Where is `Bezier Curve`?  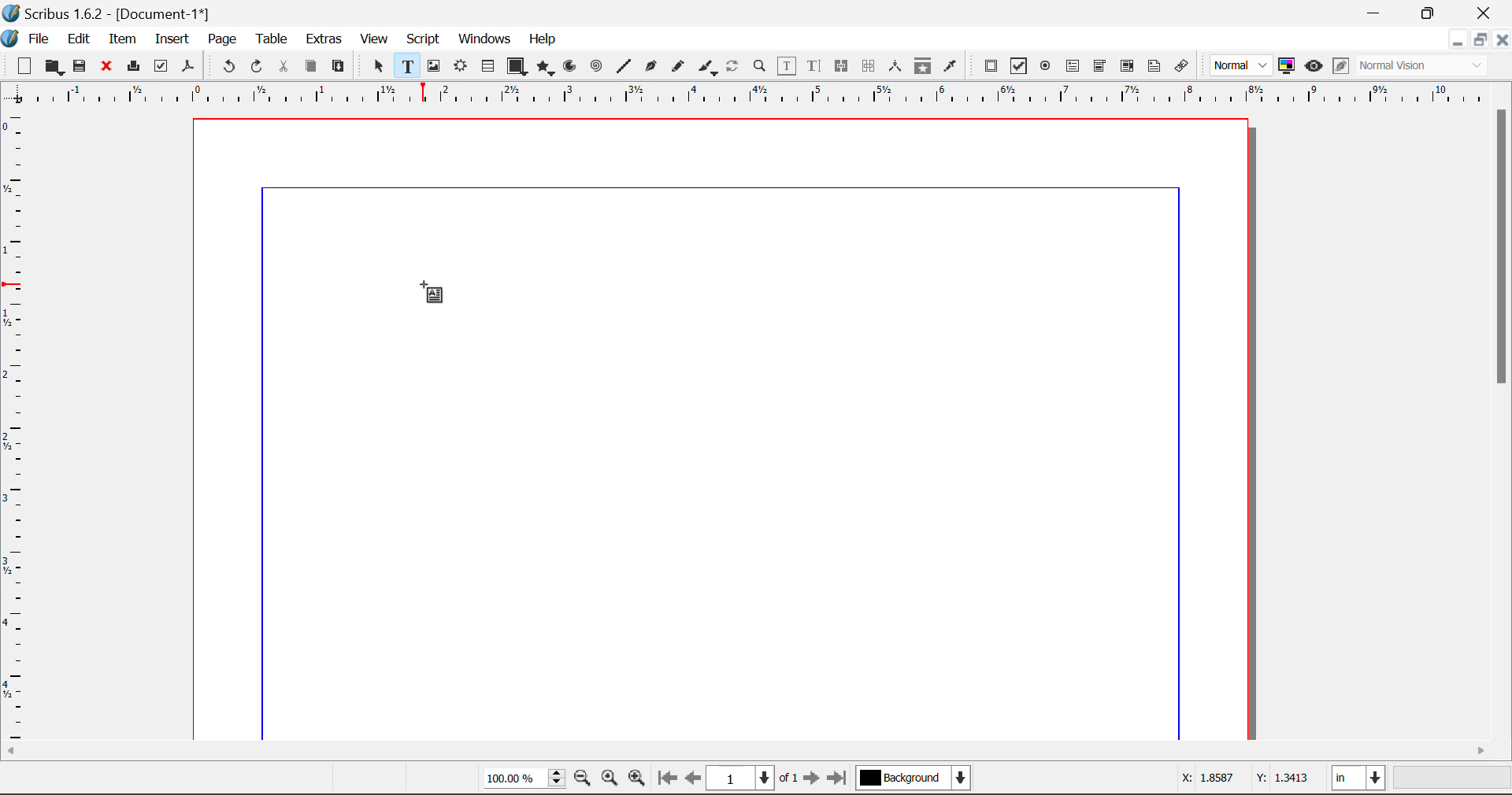
Bezier Curve is located at coordinates (649, 66).